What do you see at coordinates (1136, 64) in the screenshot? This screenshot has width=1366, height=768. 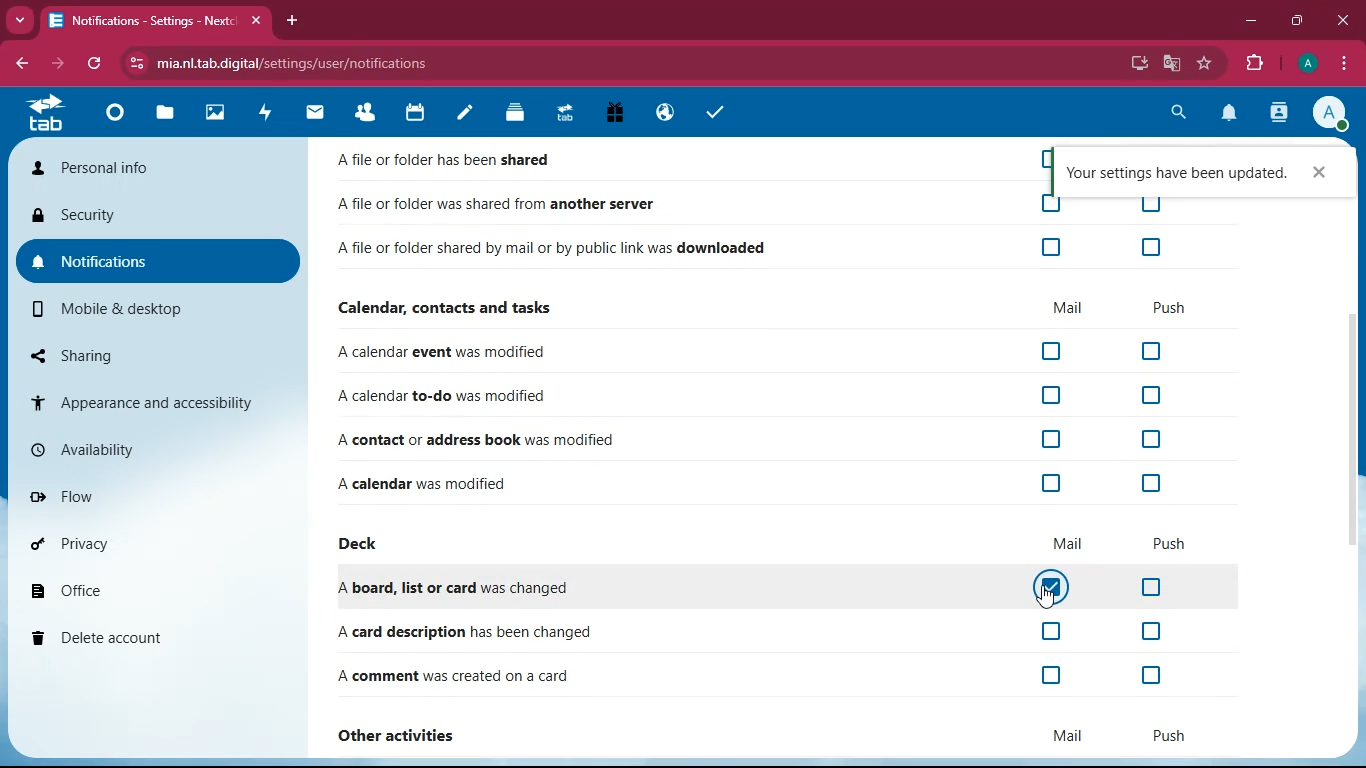 I see `desktop` at bounding box center [1136, 64].